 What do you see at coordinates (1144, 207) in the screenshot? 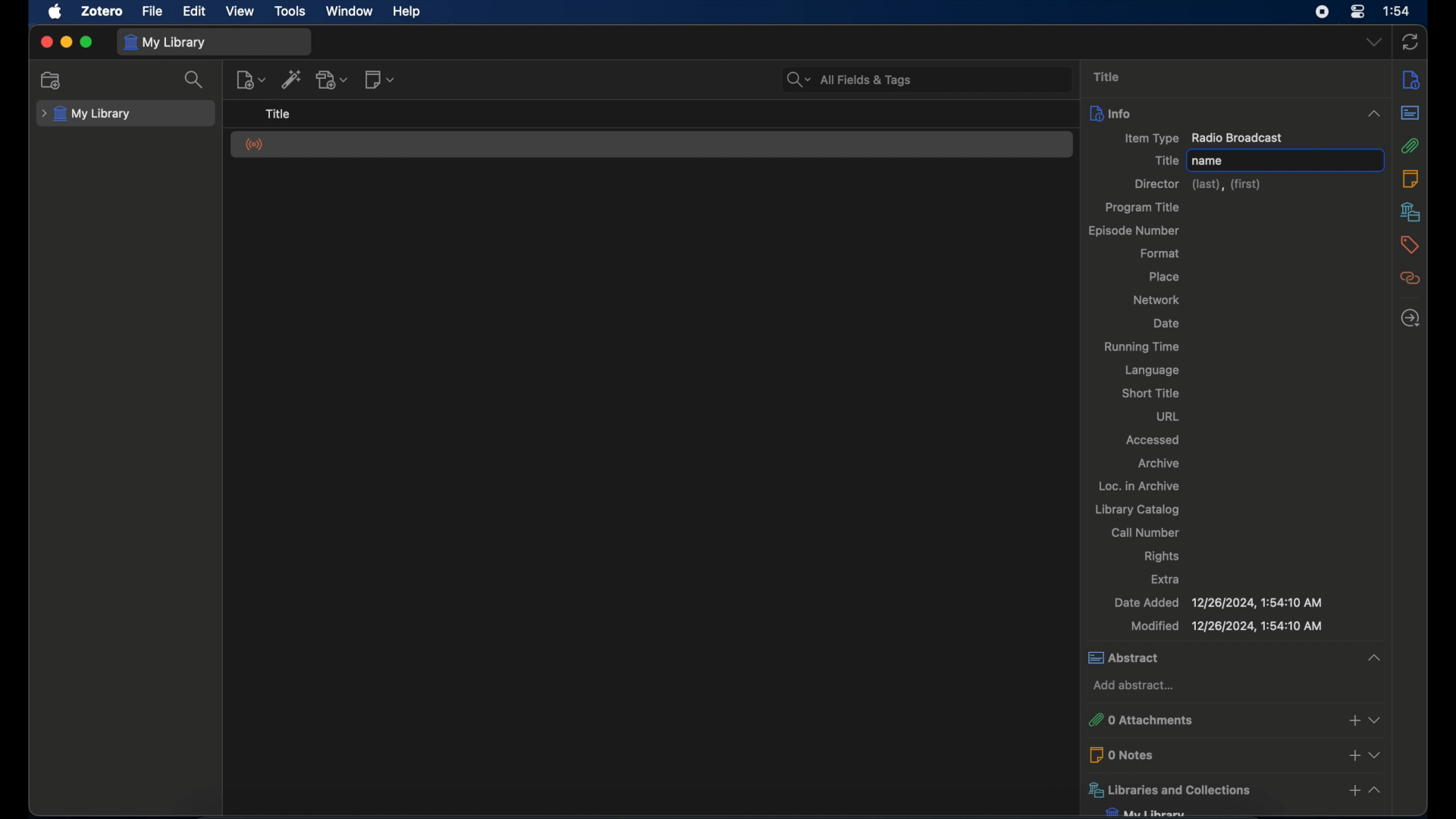
I see `program title` at bounding box center [1144, 207].